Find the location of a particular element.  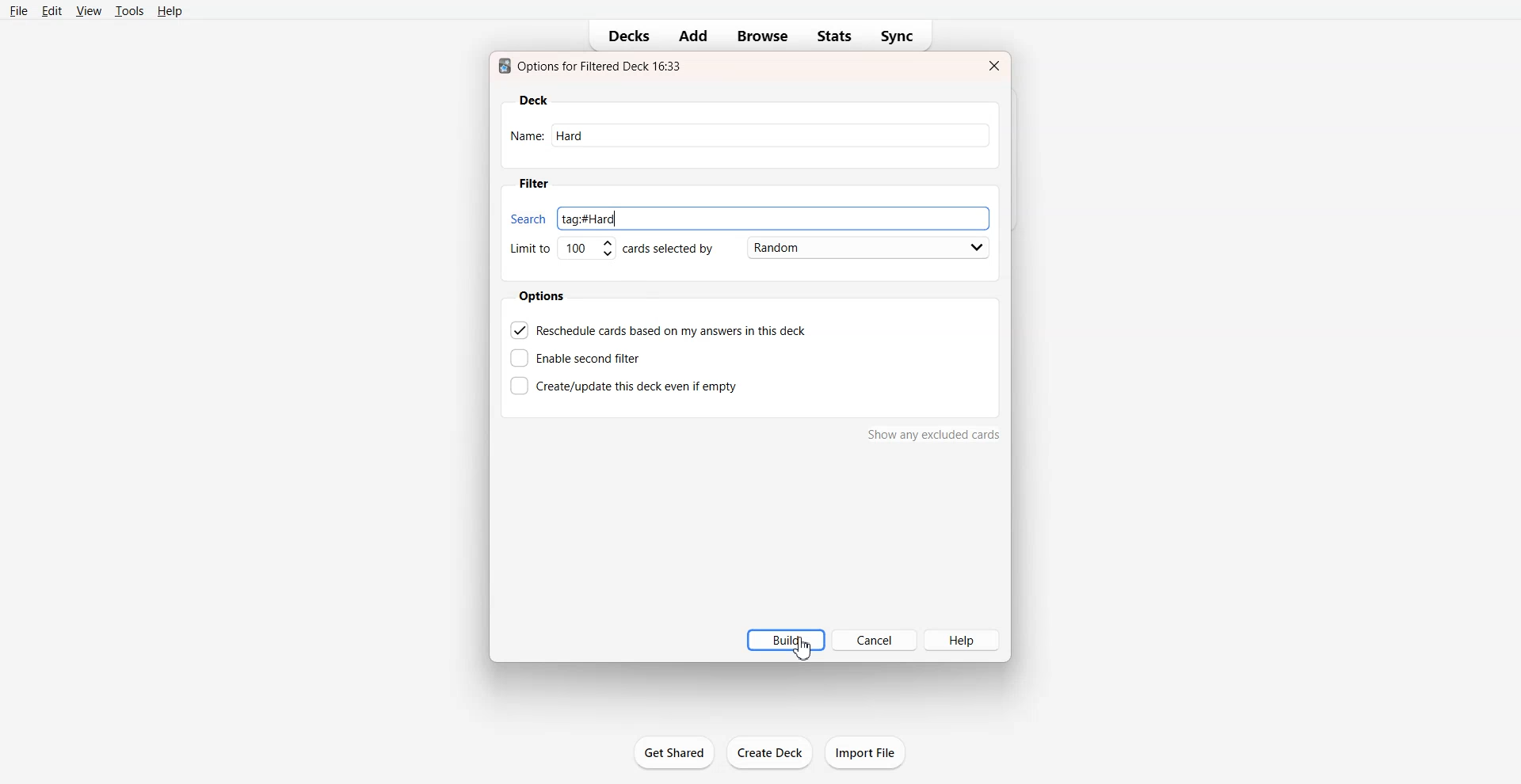

get shared is located at coordinates (677, 755).